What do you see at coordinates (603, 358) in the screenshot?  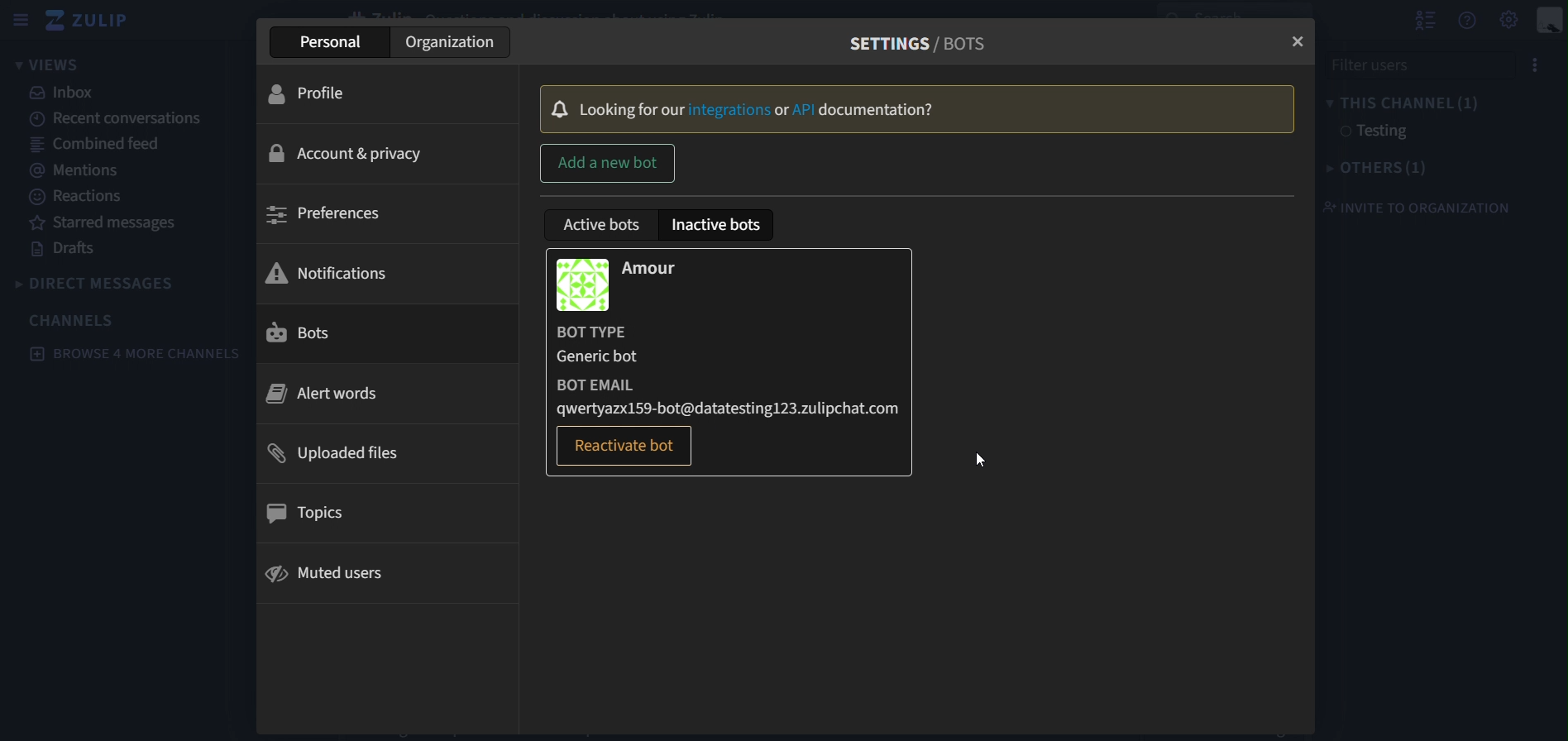 I see `Generic bot` at bounding box center [603, 358].